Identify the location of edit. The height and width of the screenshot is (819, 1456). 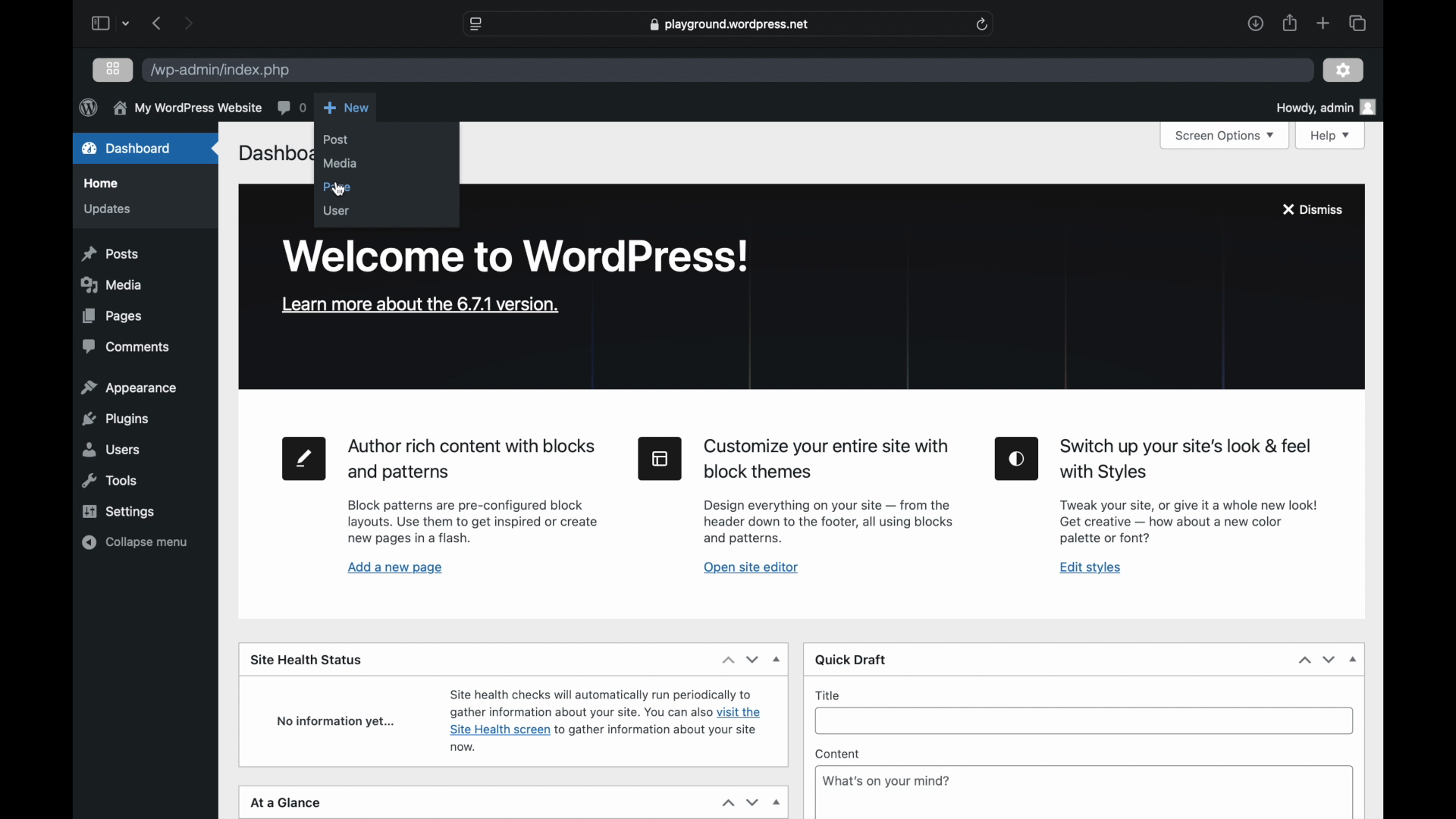
(304, 459).